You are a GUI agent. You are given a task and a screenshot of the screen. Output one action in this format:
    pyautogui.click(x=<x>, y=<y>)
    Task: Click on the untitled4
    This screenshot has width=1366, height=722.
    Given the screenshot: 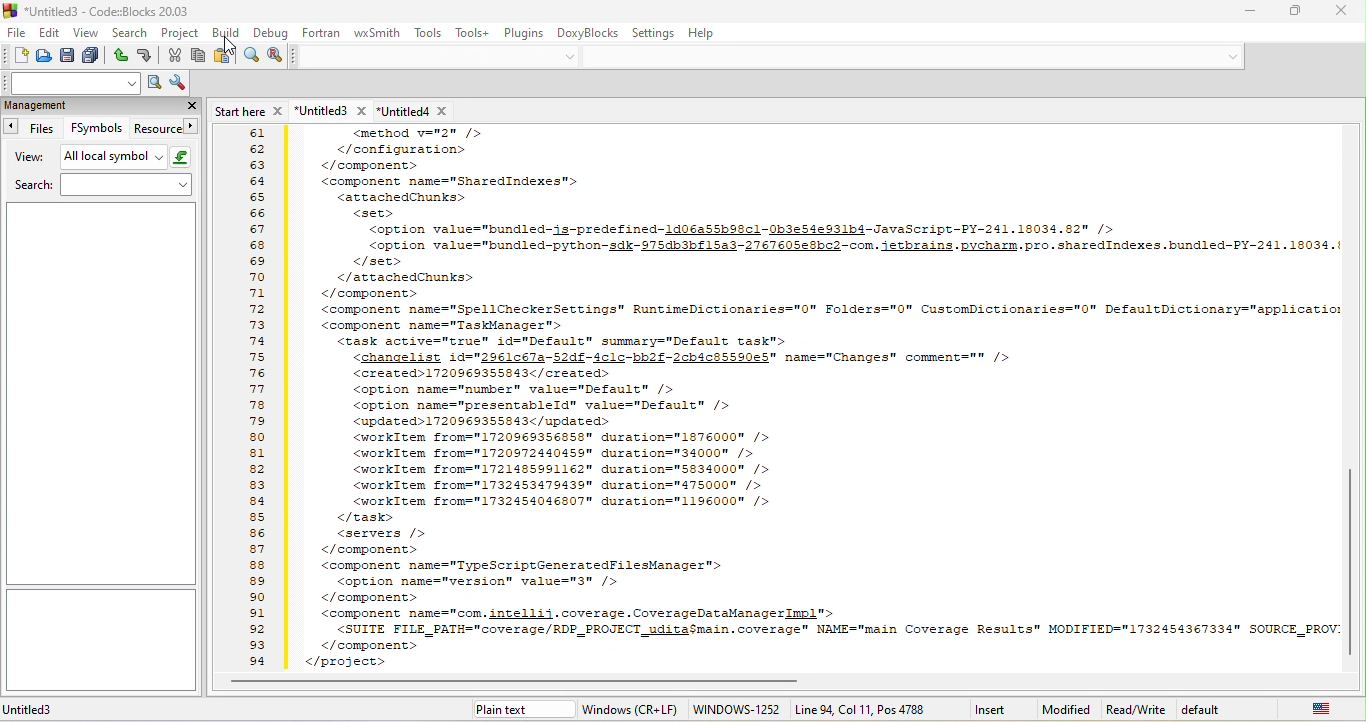 What is the action you would take?
    pyautogui.click(x=423, y=111)
    